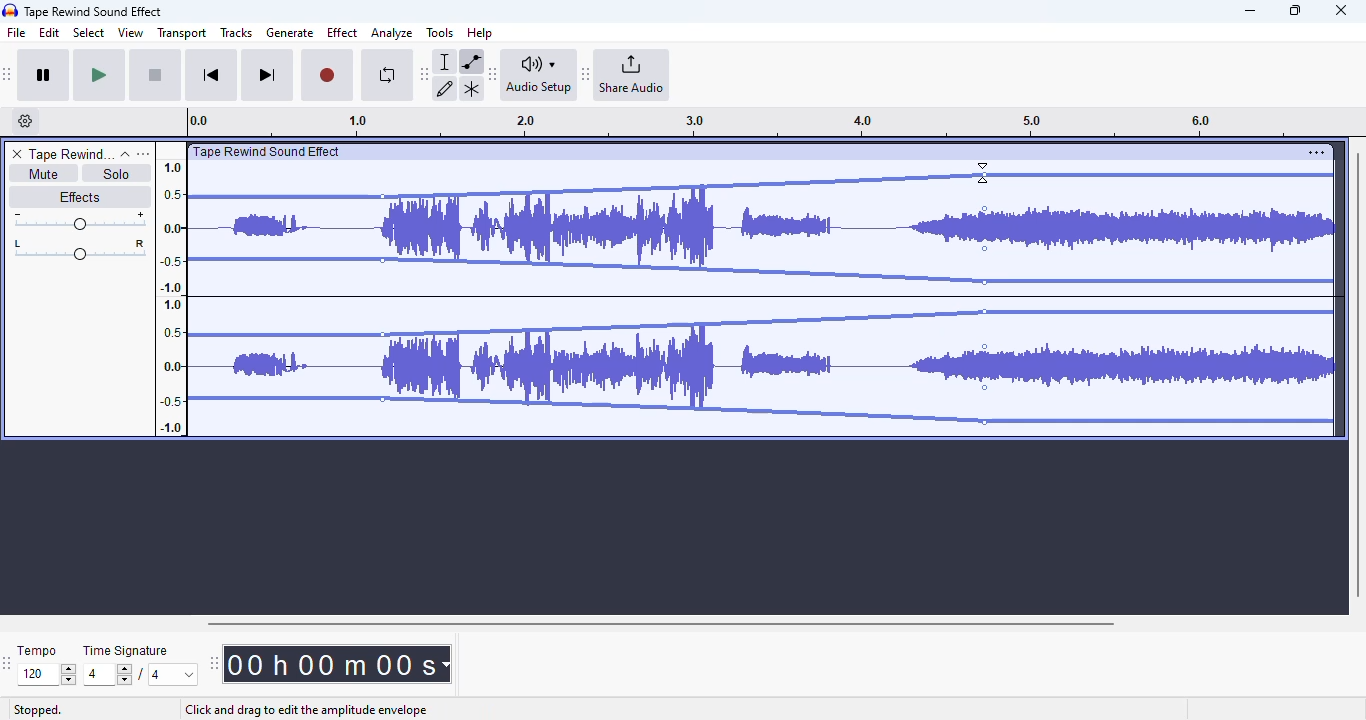 The width and height of the screenshot is (1366, 720). I want to click on Control point, so click(985, 311).